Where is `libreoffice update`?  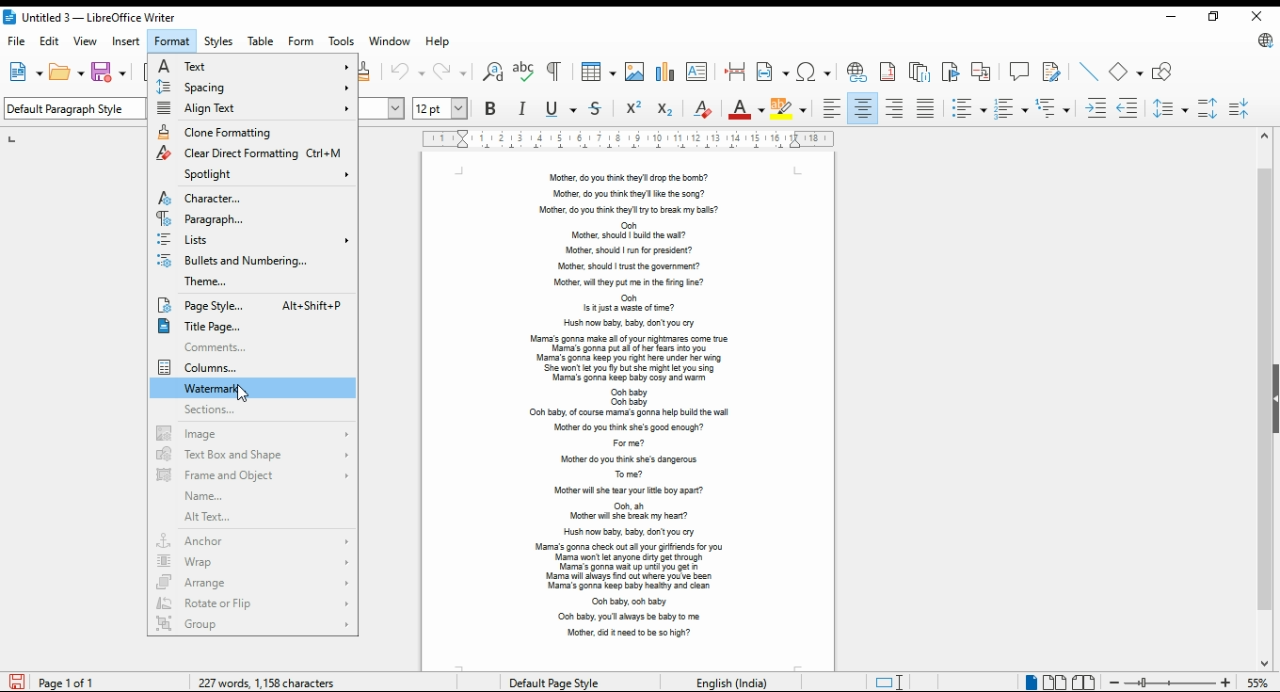
libreoffice update is located at coordinates (1262, 41).